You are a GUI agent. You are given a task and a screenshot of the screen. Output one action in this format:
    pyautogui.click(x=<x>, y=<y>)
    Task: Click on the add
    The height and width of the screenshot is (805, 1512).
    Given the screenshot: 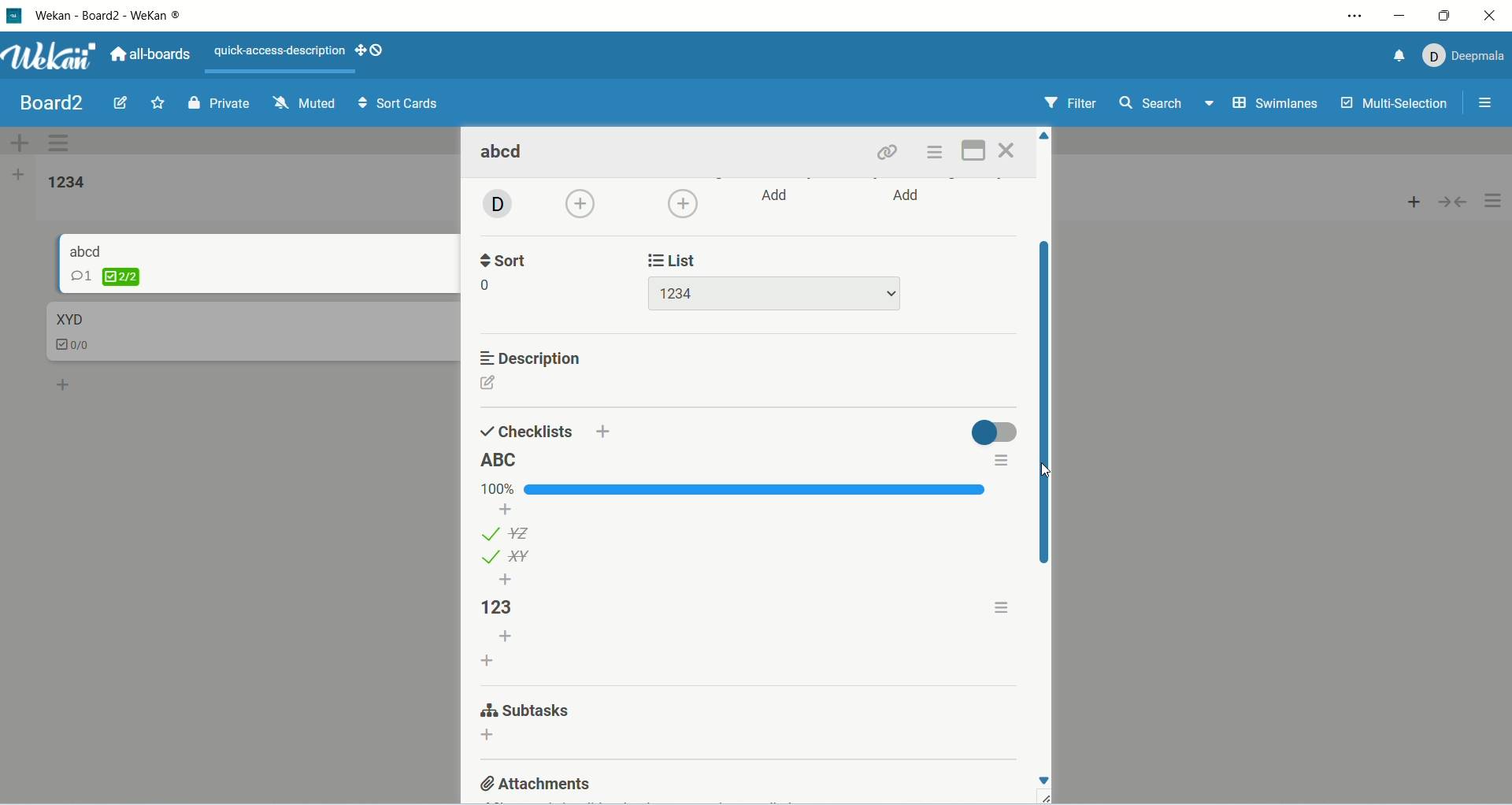 What is the action you would take?
    pyautogui.click(x=909, y=197)
    